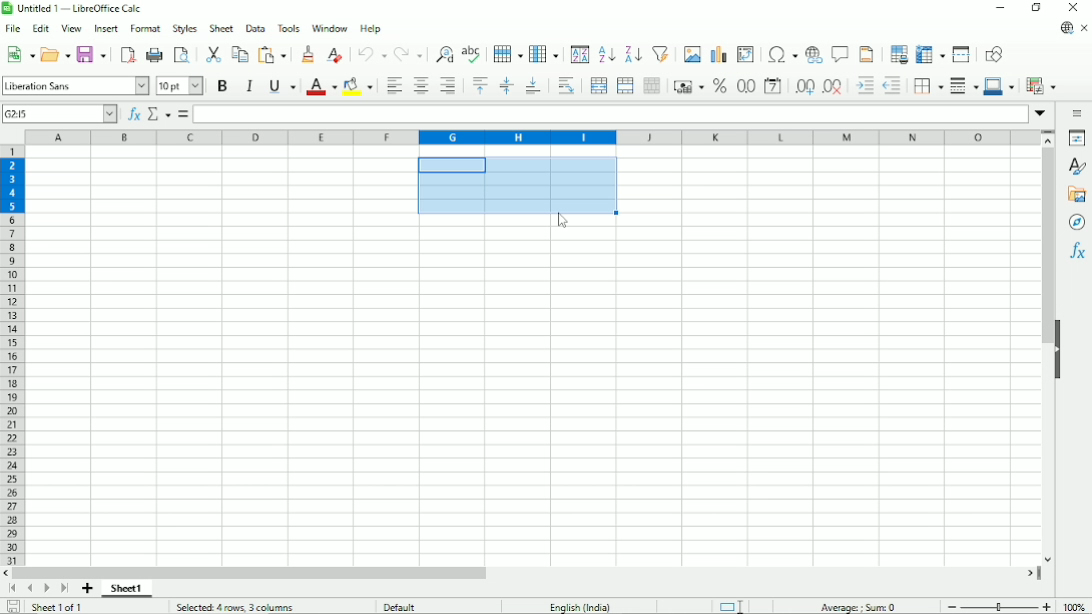  What do you see at coordinates (59, 607) in the screenshot?
I see `Sheet 1 of 1` at bounding box center [59, 607].